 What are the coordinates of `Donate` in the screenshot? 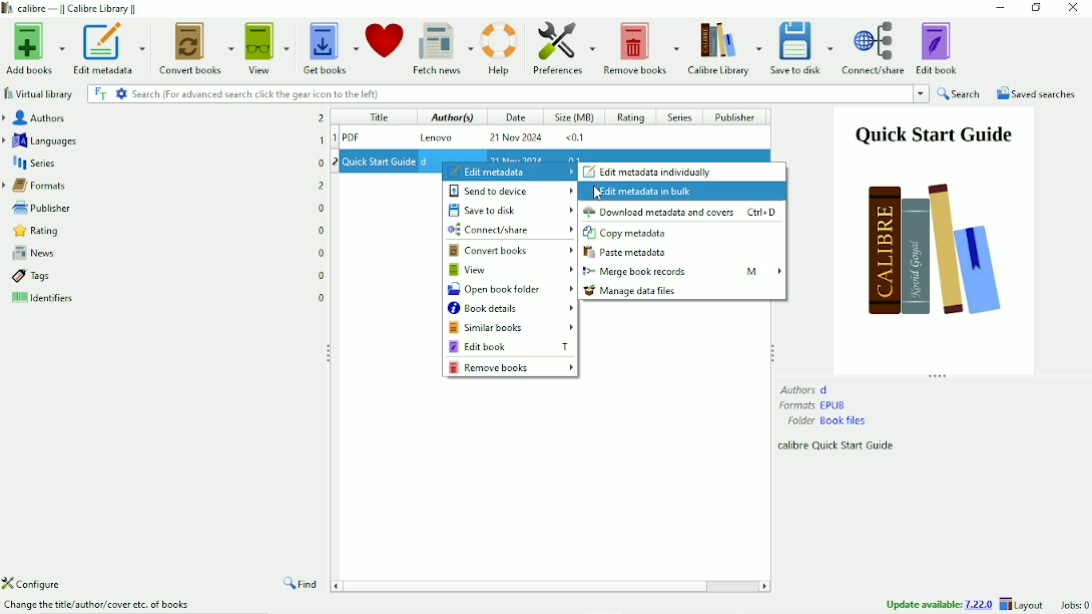 It's located at (384, 40).